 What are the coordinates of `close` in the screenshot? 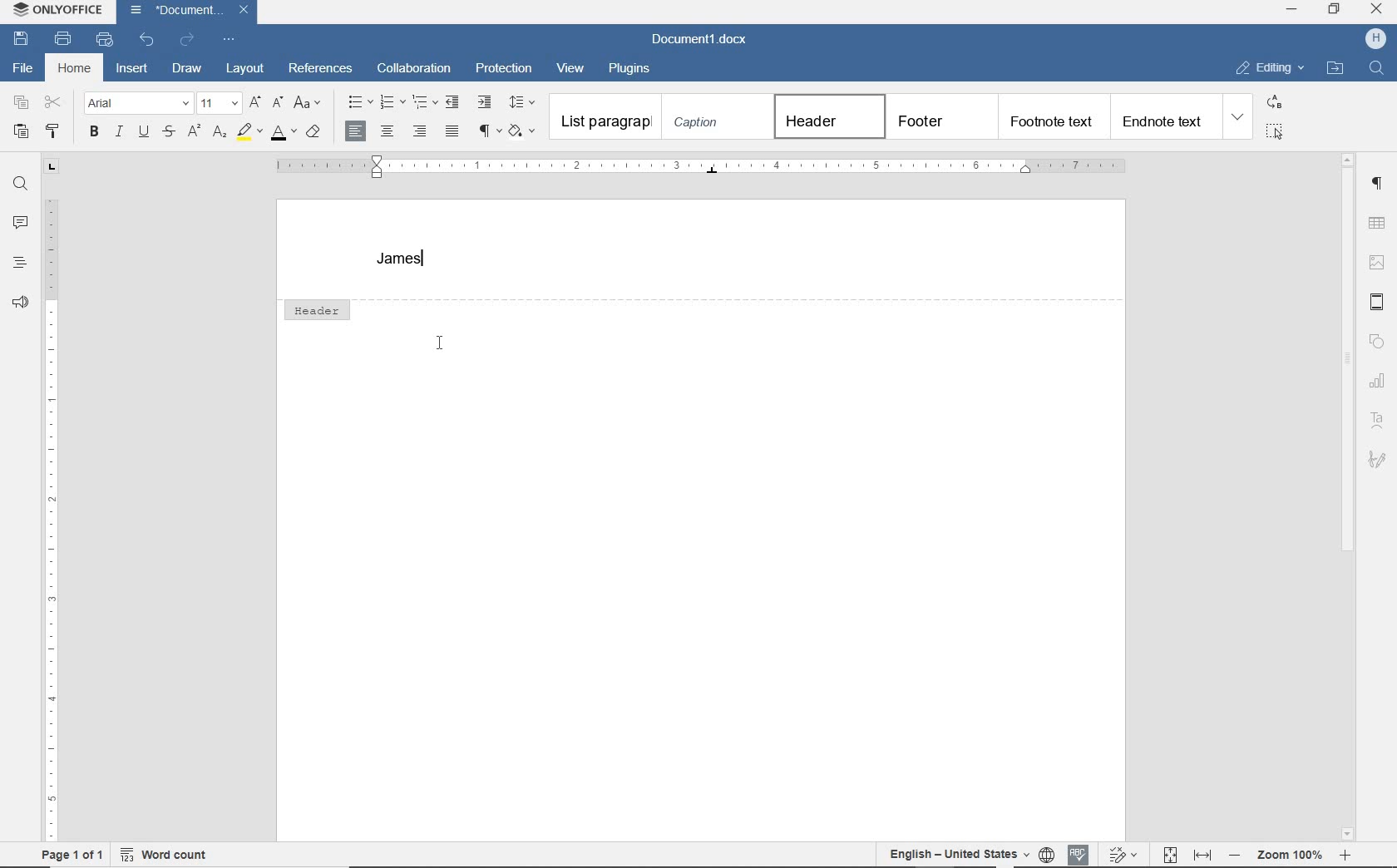 It's located at (244, 9).